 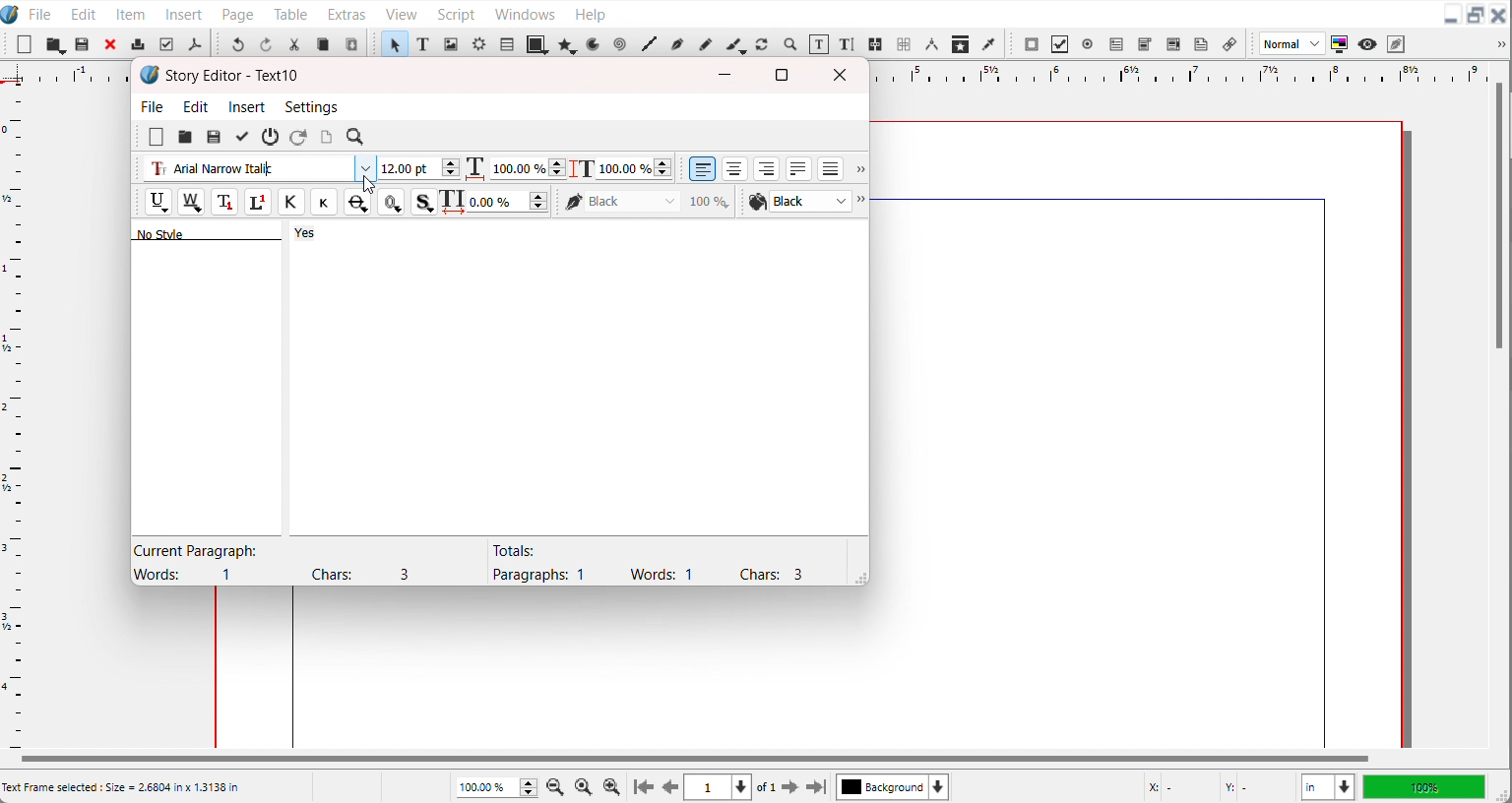 I want to click on Subscript, so click(x=224, y=202).